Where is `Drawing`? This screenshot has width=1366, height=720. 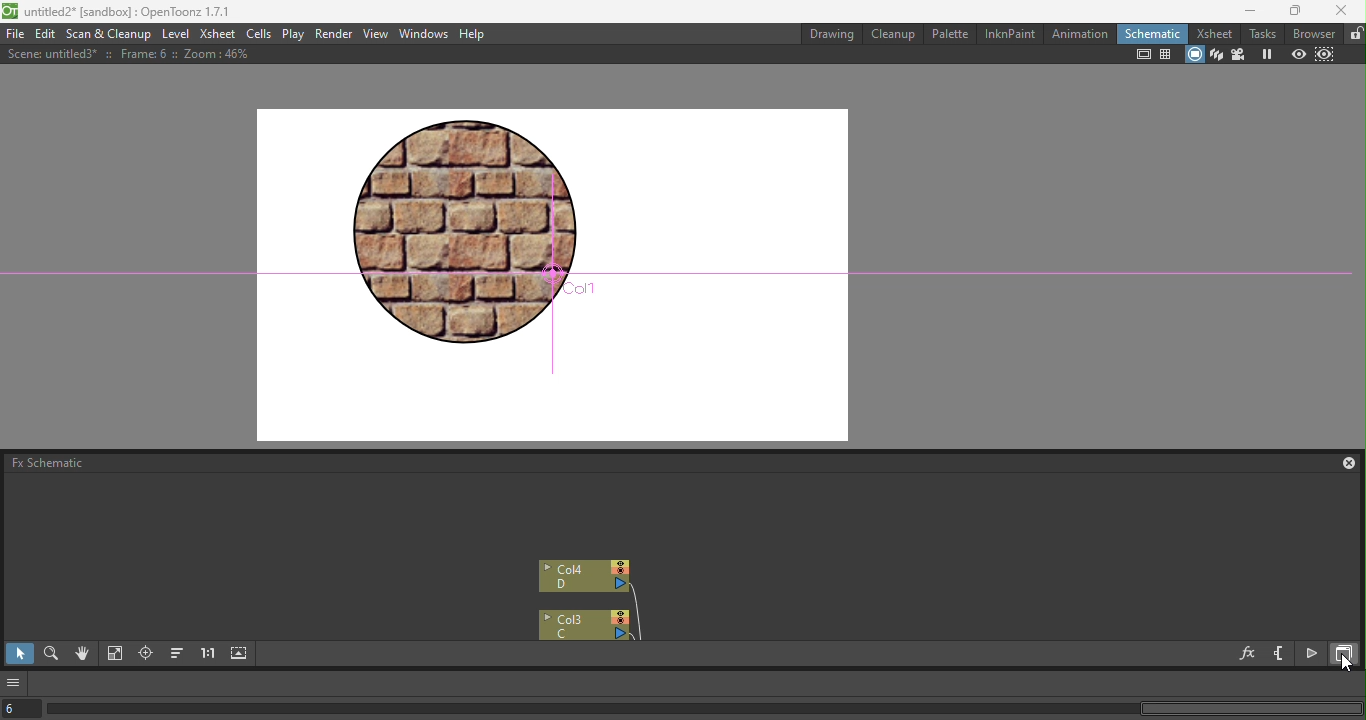 Drawing is located at coordinates (833, 34).